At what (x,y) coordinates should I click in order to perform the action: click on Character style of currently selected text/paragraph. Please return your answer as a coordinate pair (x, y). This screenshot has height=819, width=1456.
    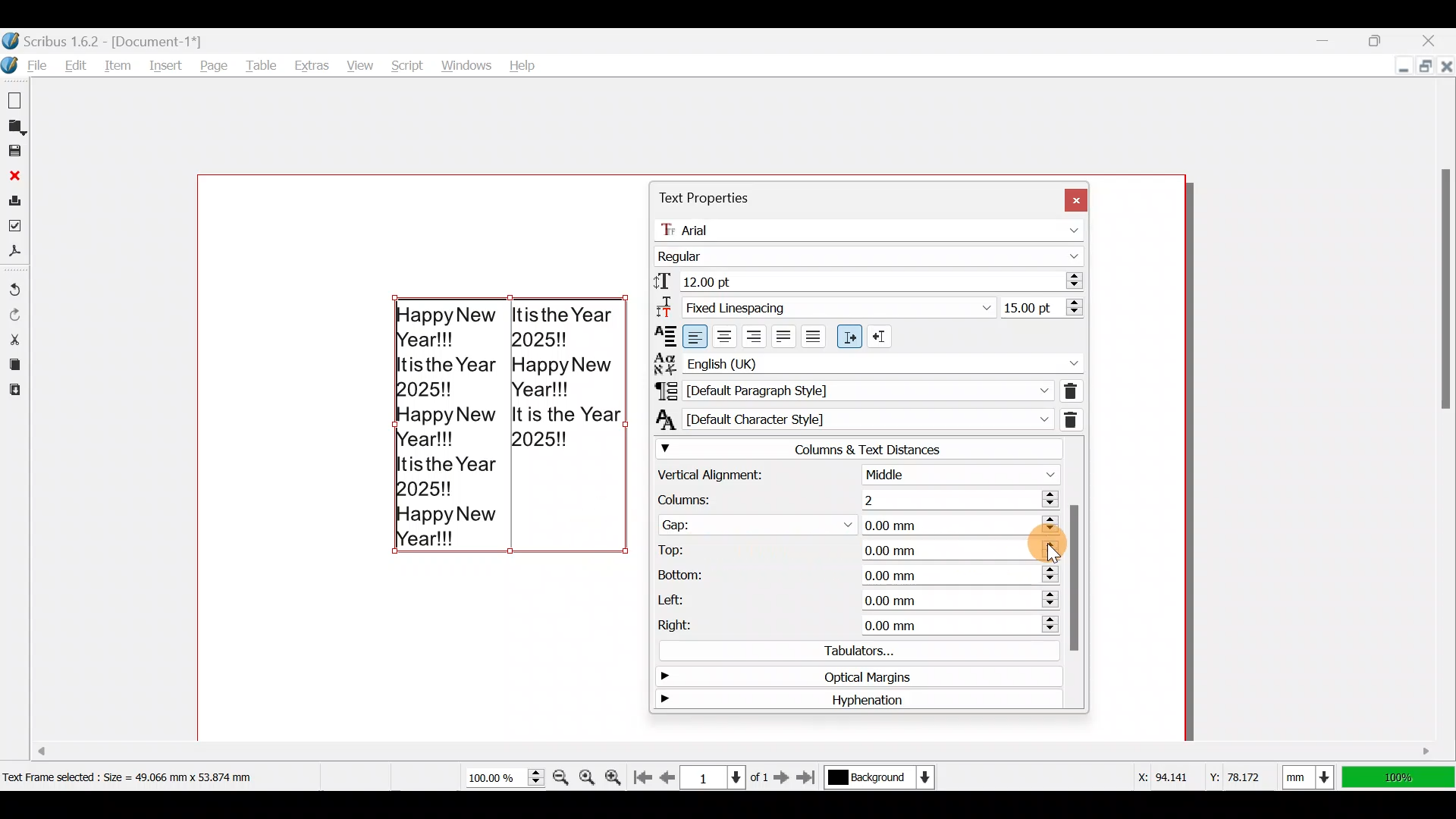
    Looking at the image, I should click on (850, 419).